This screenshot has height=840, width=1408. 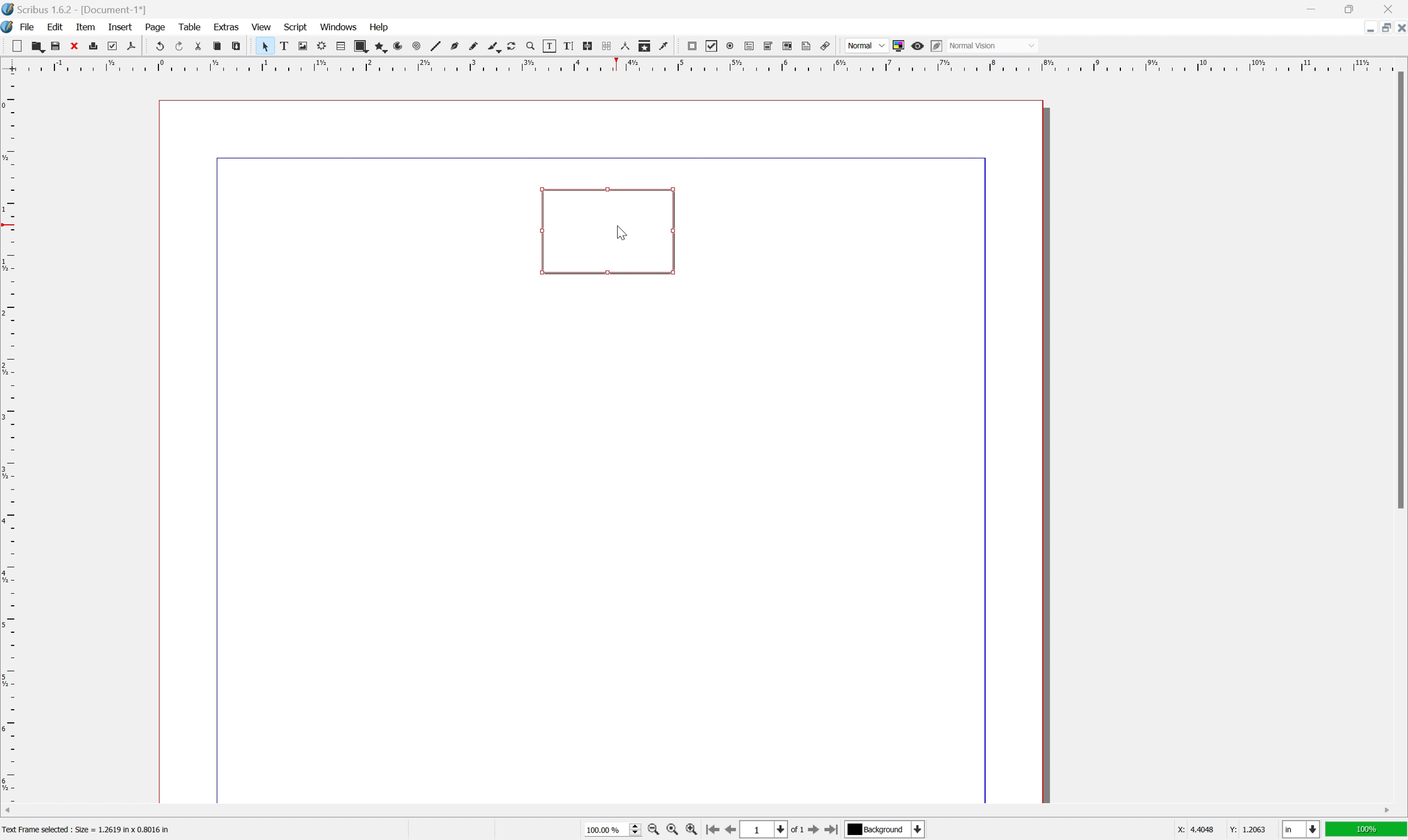 What do you see at coordinates (569, 46) in the screenshot?
I see `edit text with story editor` at bounding box center [569, 46].